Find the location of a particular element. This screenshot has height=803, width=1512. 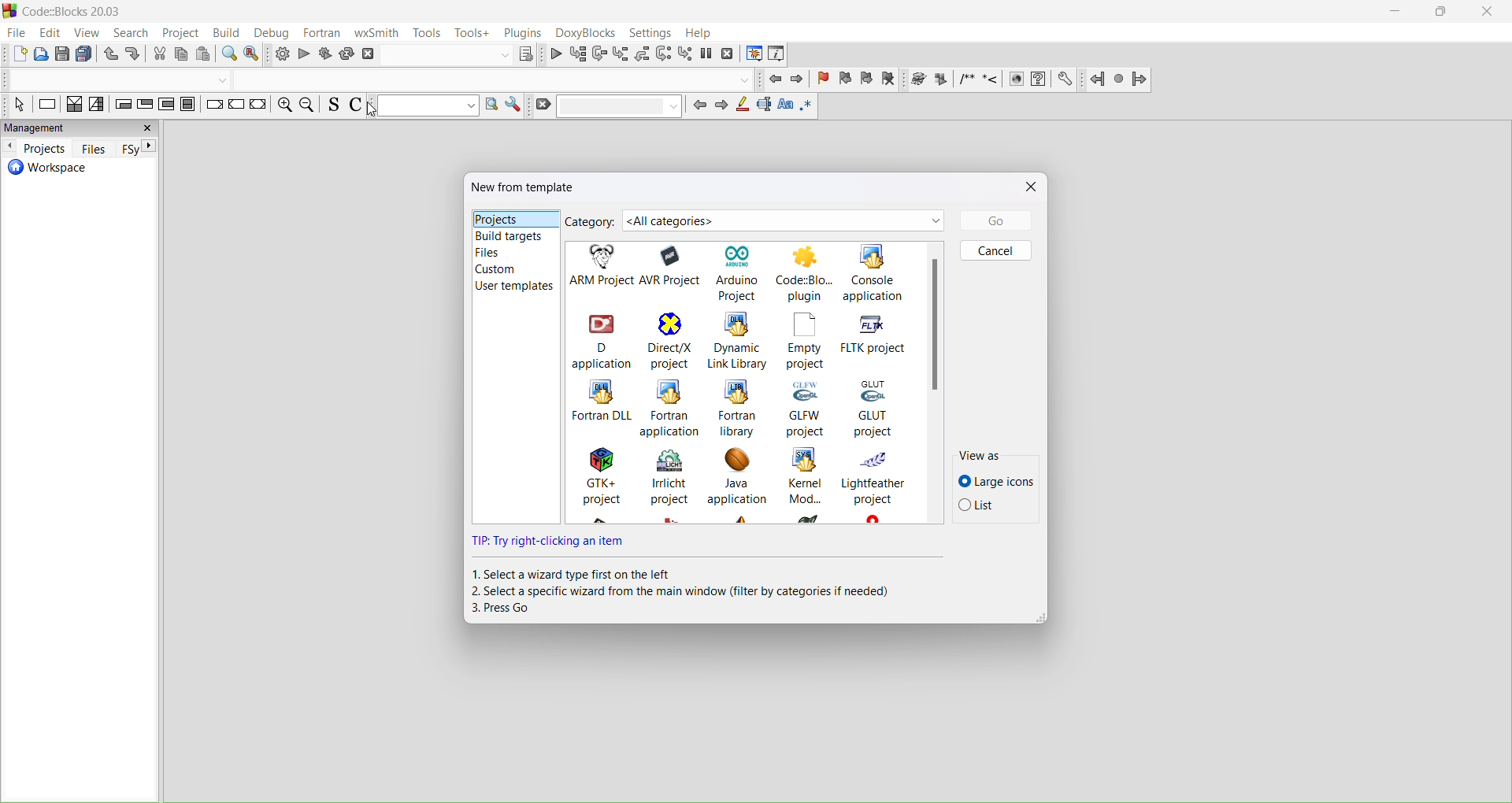

run to cursor is located at coordinates (577, 52).